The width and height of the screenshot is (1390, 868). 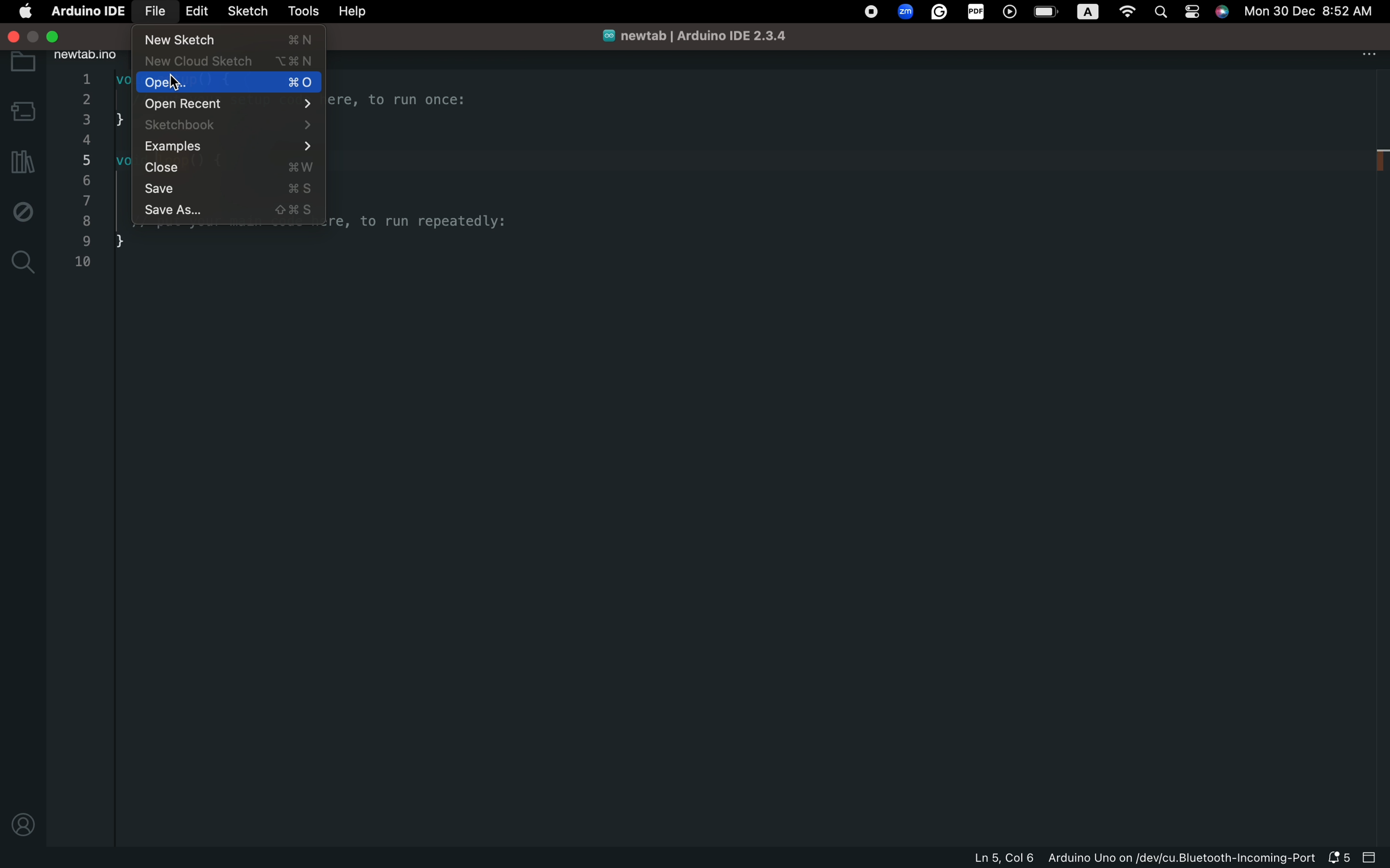 I want to click on new sketch, so click(x=230, y=38).